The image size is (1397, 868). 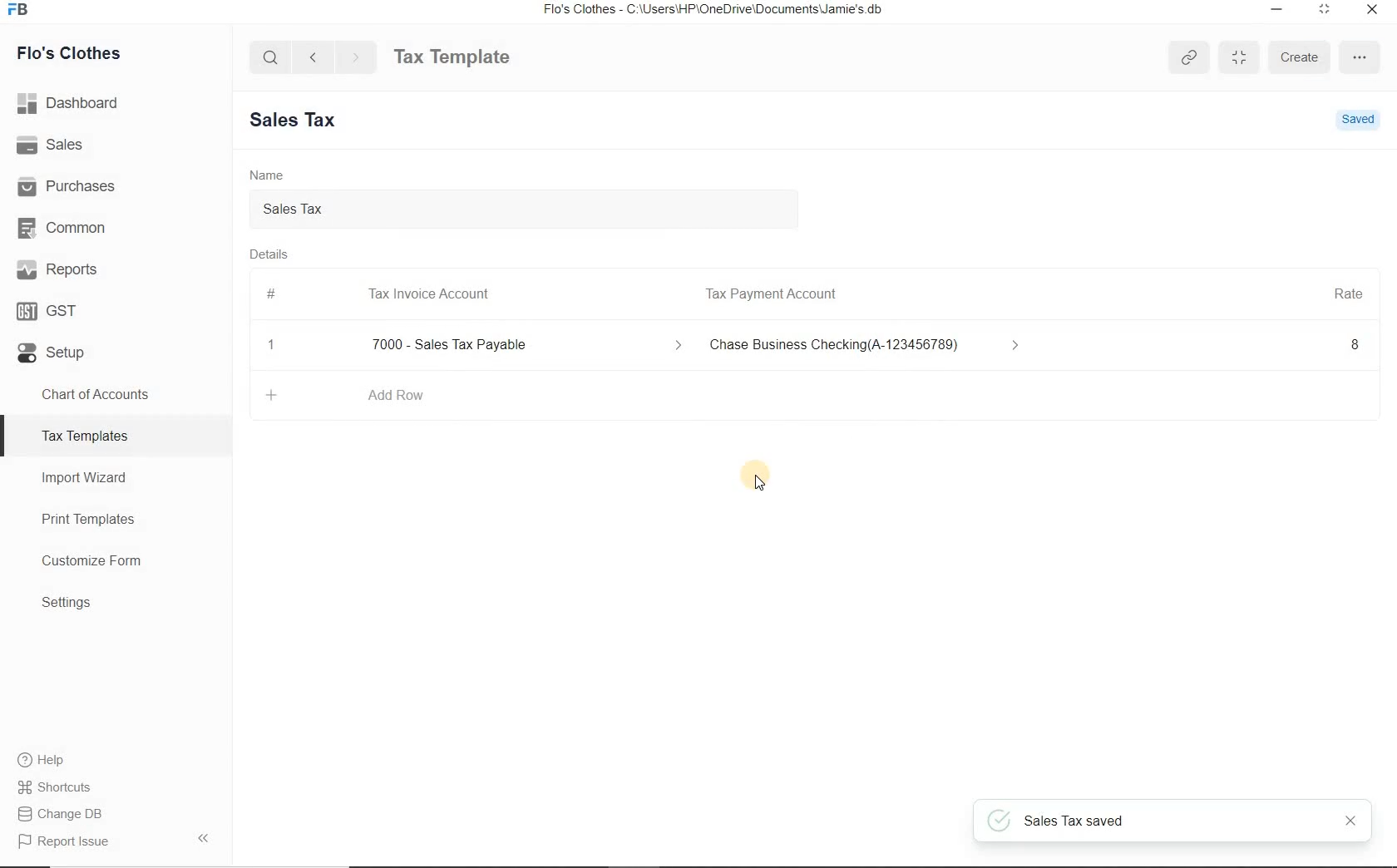 I want to click on Cursor, so click(x=754, y=477).